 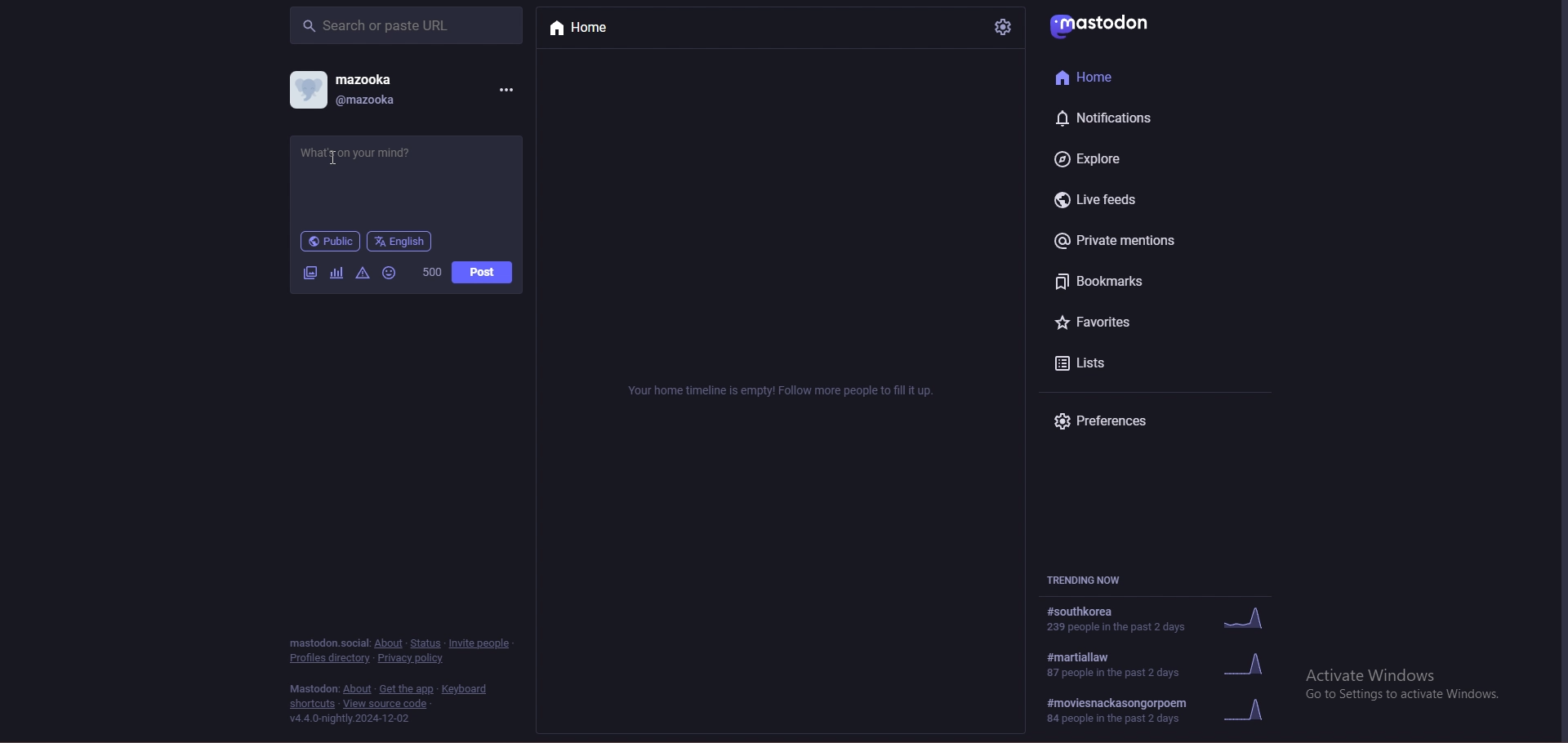 What do you see at coordinates (331, 241) in the screenshot?
I see `public` at bounding box center [331, 241].